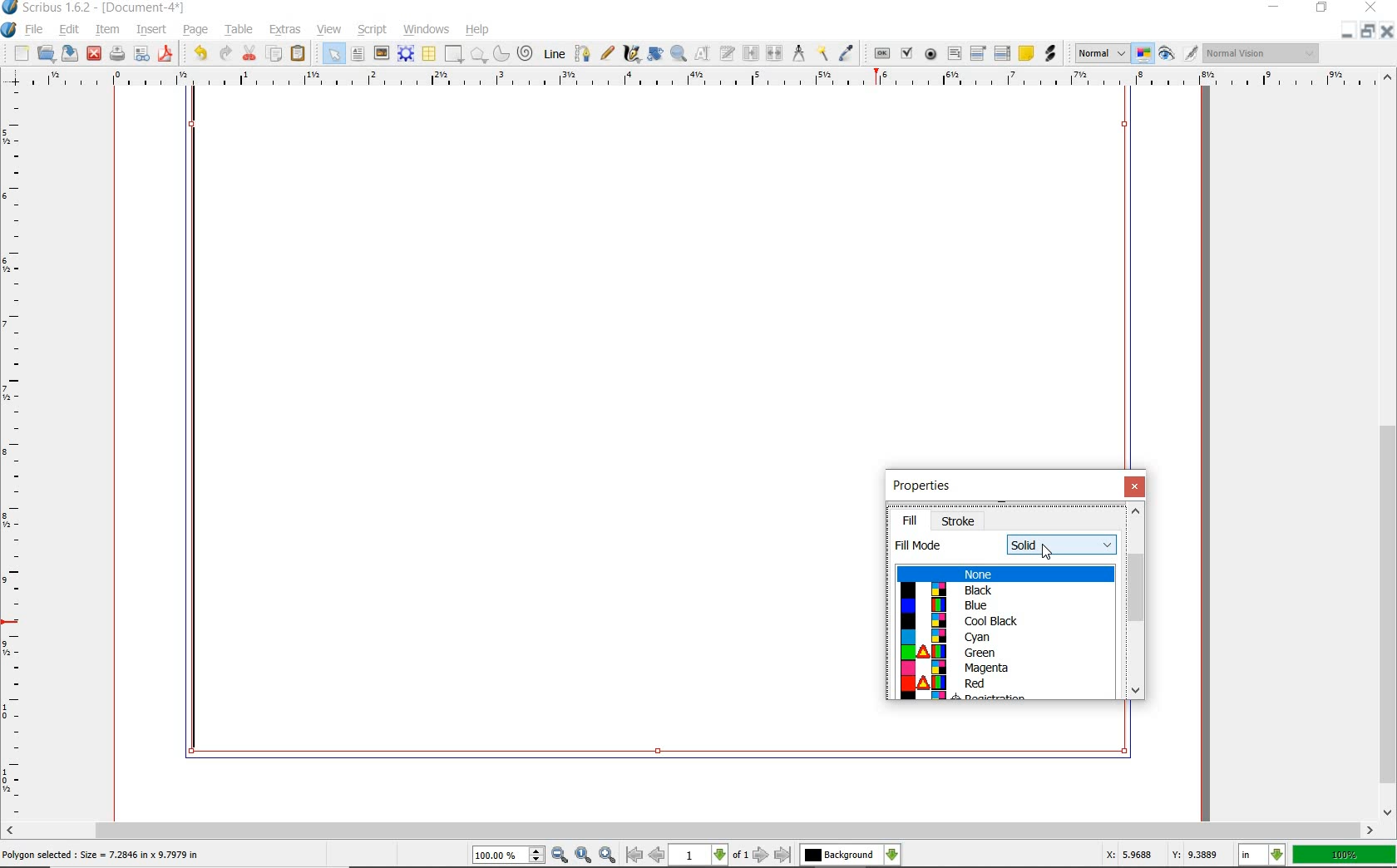  What do you see at coordinates (382, 55) in the screenshot?
I see `image frame` at bounding box center [382, 55].